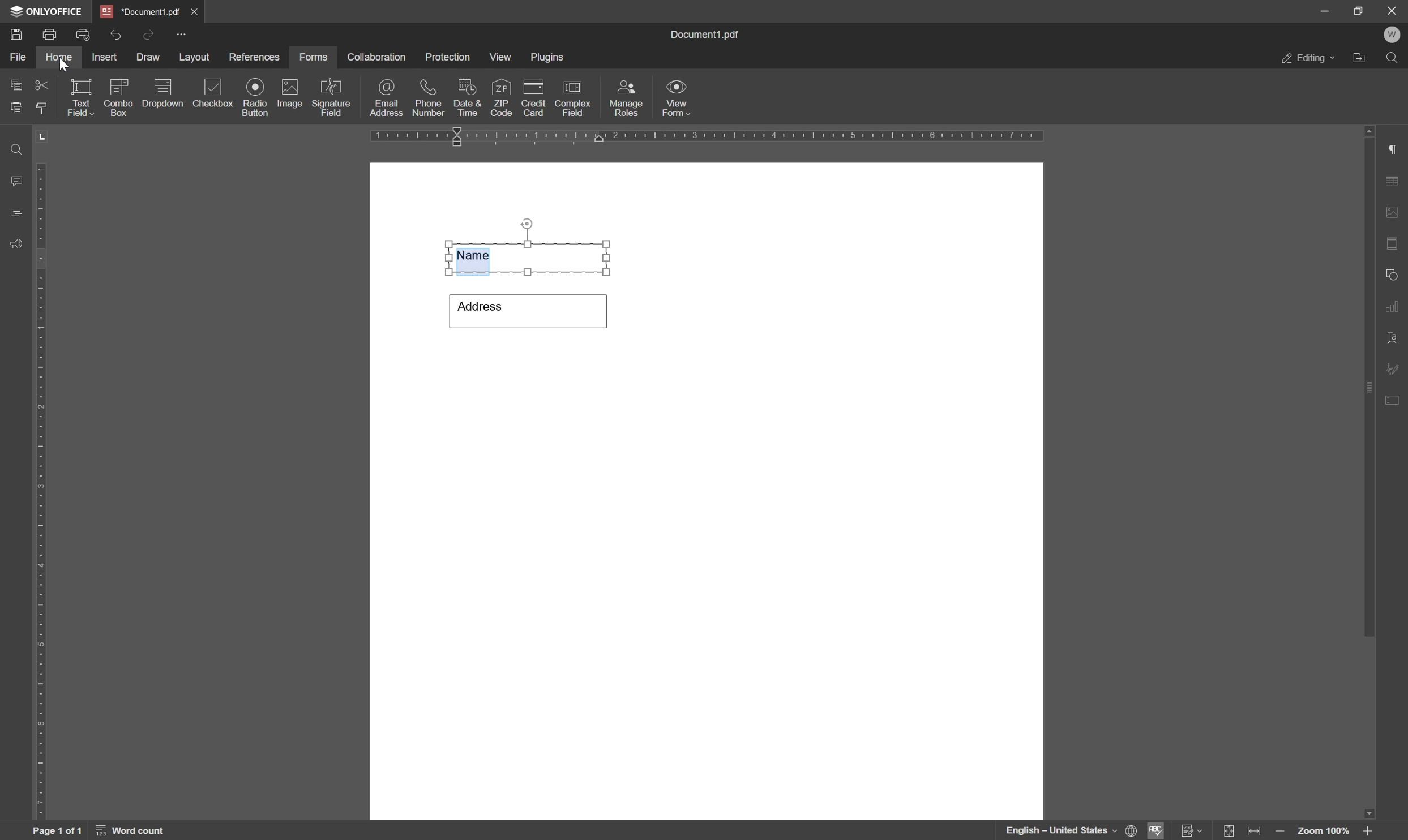 The image size is (1408, 840). I want to click on spell checking, so click(1157, 830).